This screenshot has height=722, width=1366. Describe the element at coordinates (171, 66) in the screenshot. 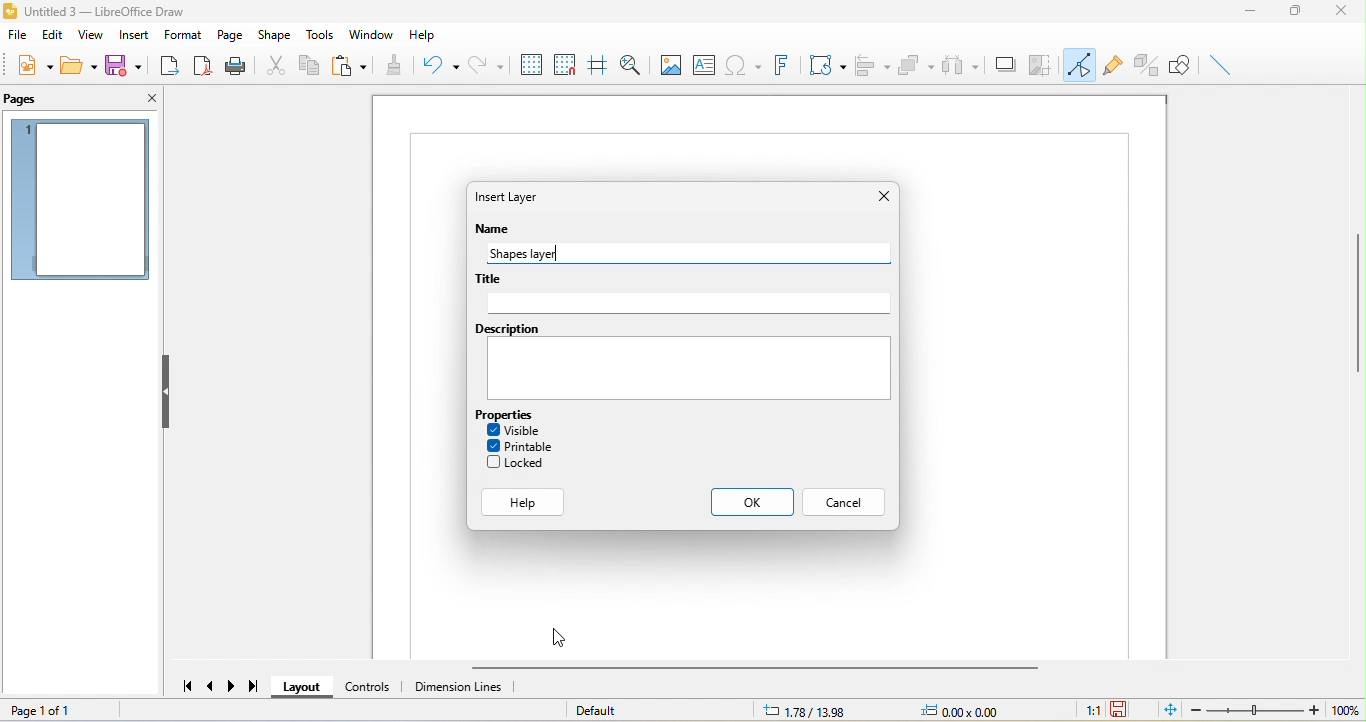

I see `export` at that location.